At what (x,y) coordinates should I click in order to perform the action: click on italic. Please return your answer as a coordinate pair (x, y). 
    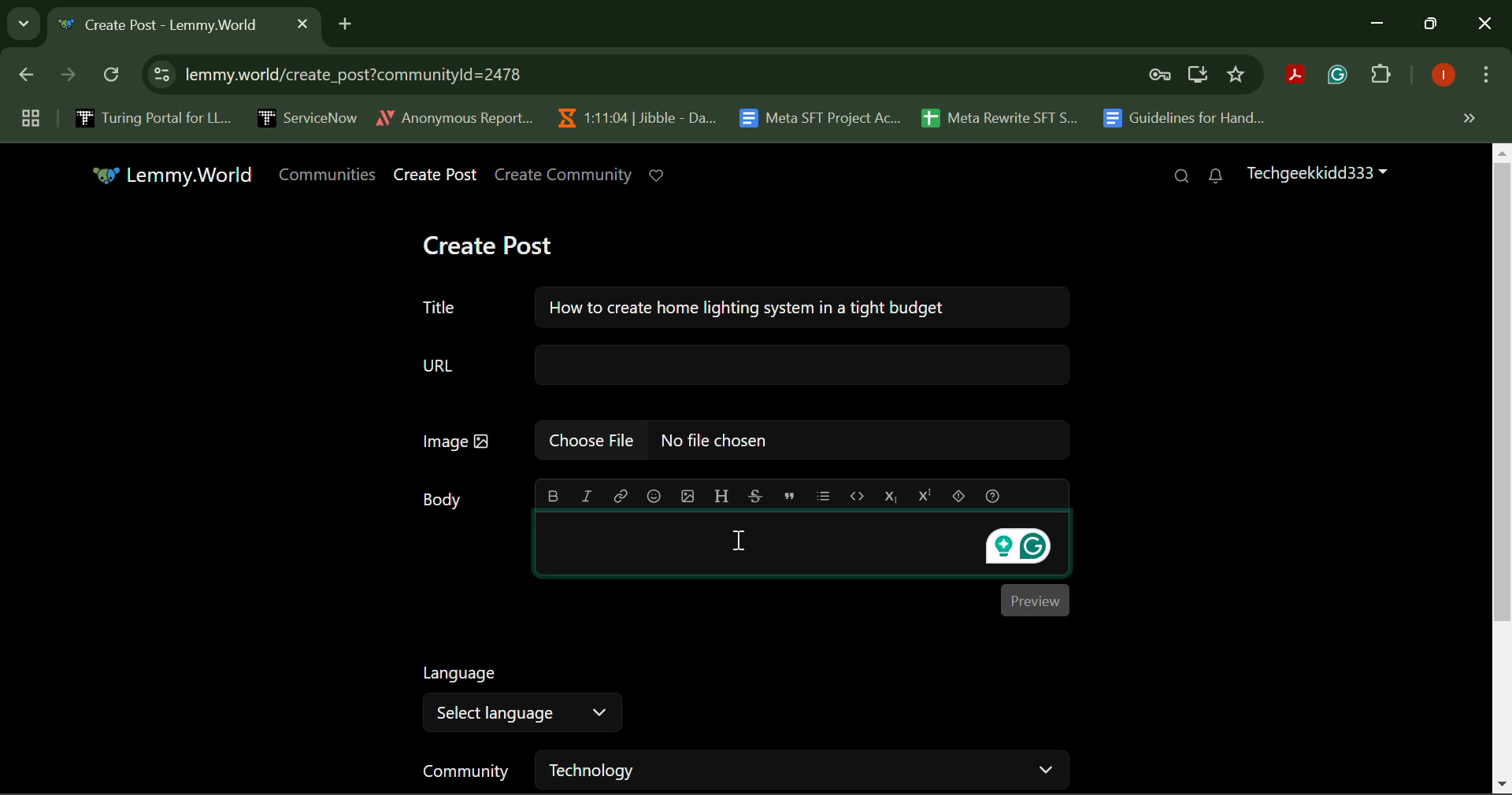
    Looking at the image, I should click on (586, 494).